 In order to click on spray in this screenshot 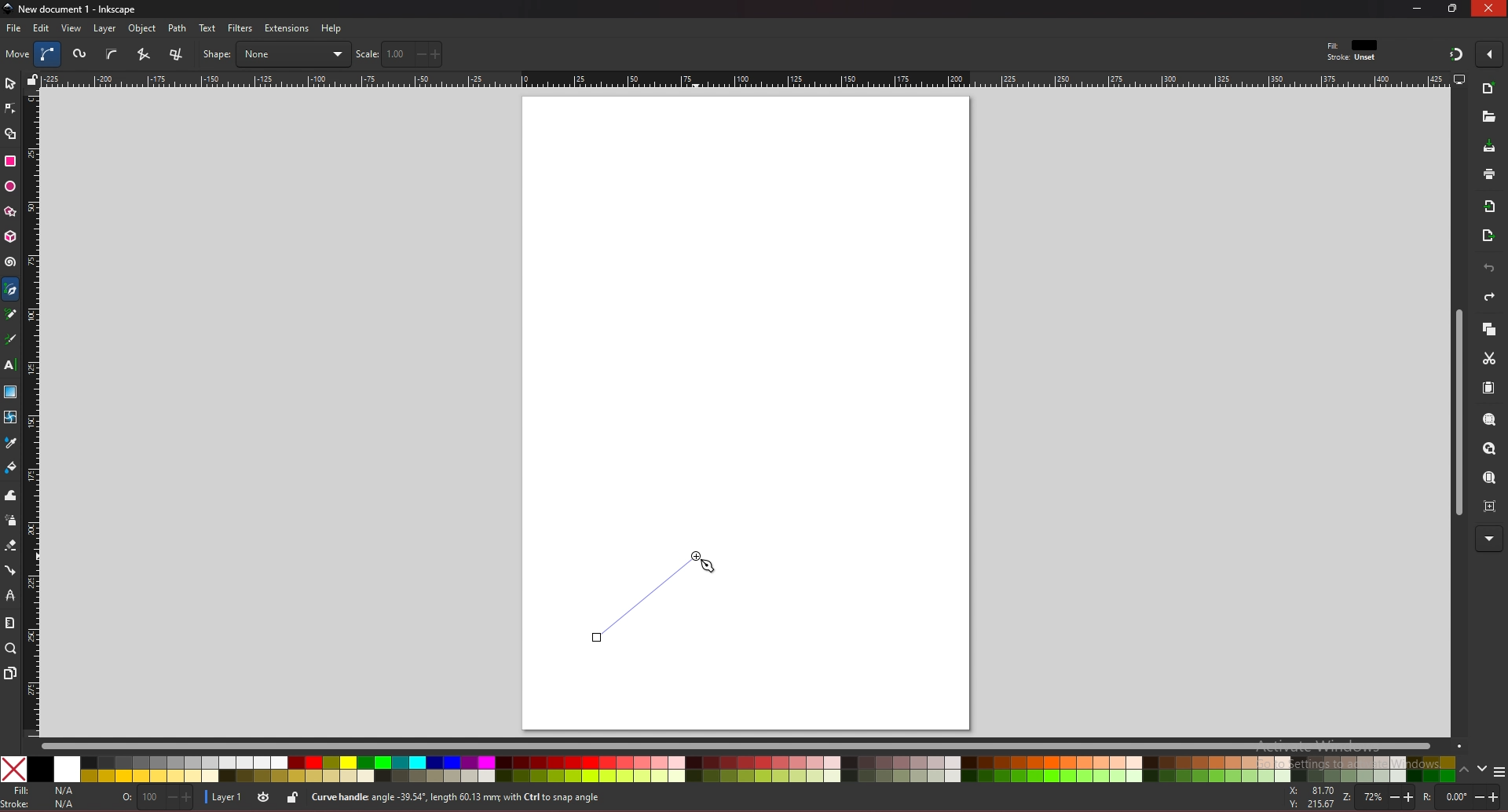, I will do `click(10, 521)`.